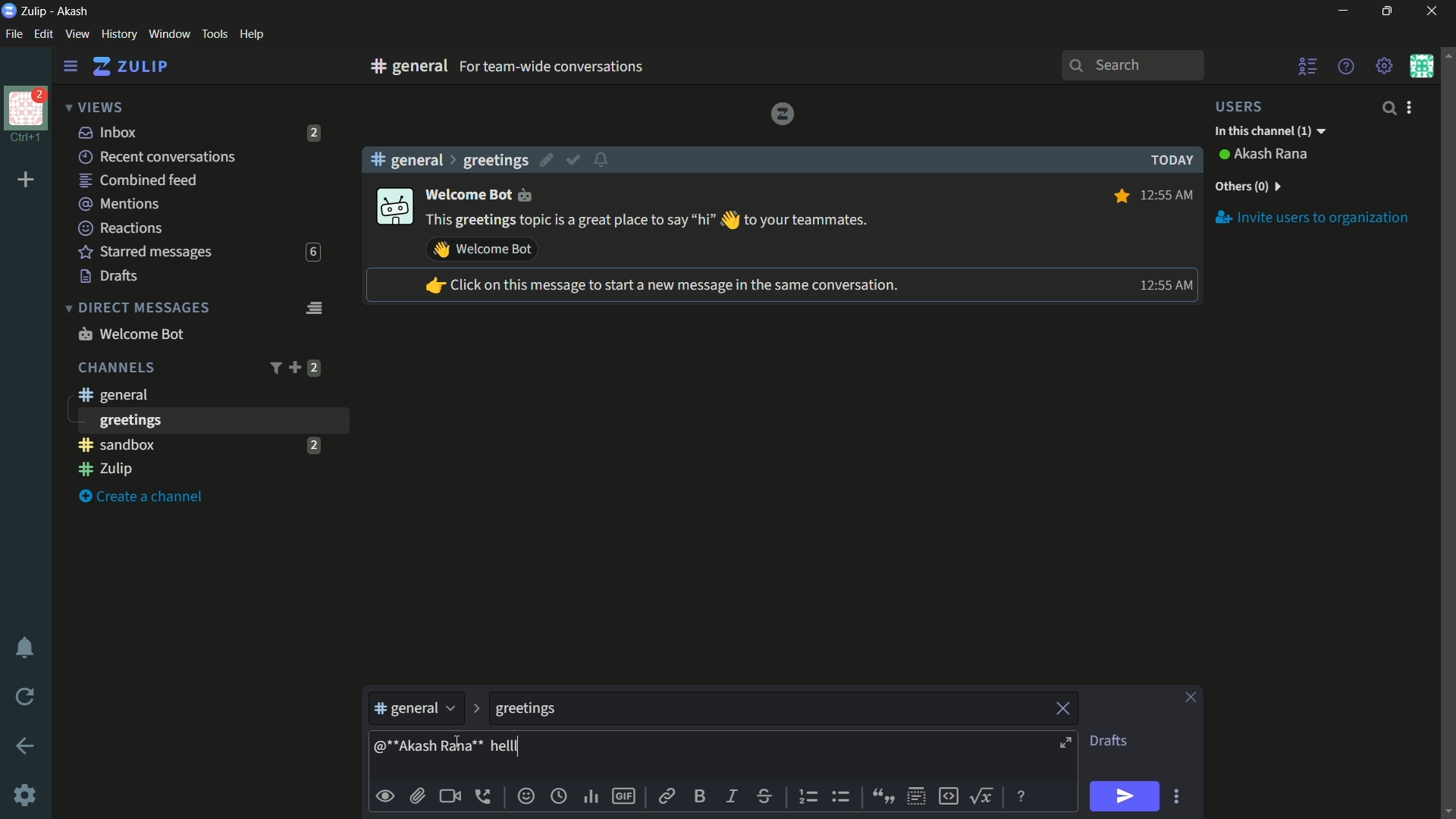  What do you see at coordinates (592, 798) in the screenshot?
I see `add poll` at bounding box center [592, 798].